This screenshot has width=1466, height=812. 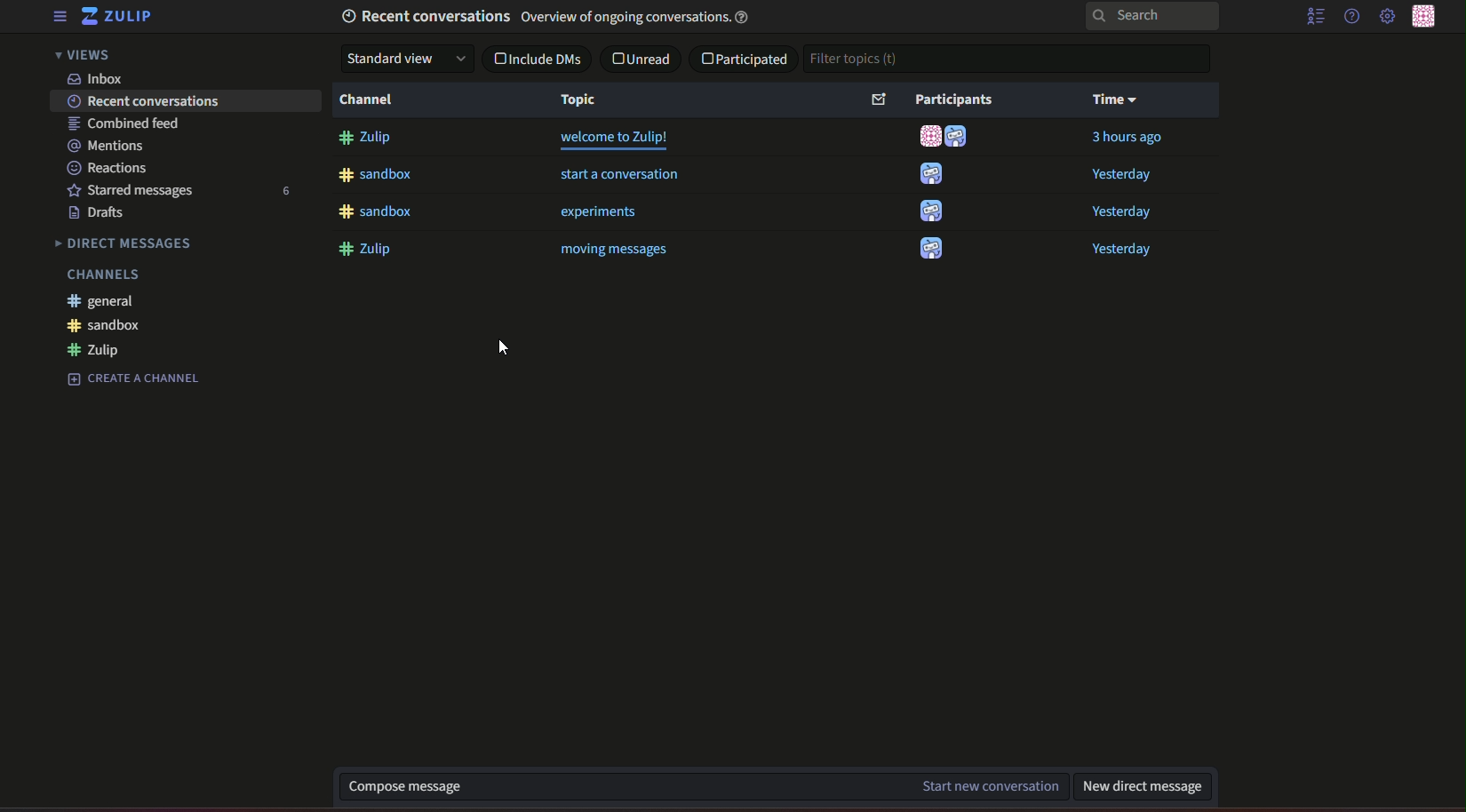 What do you see at coordinates (1351, 18) in the screenshot?
I see `help menu` at bounding box center [1351, 18].